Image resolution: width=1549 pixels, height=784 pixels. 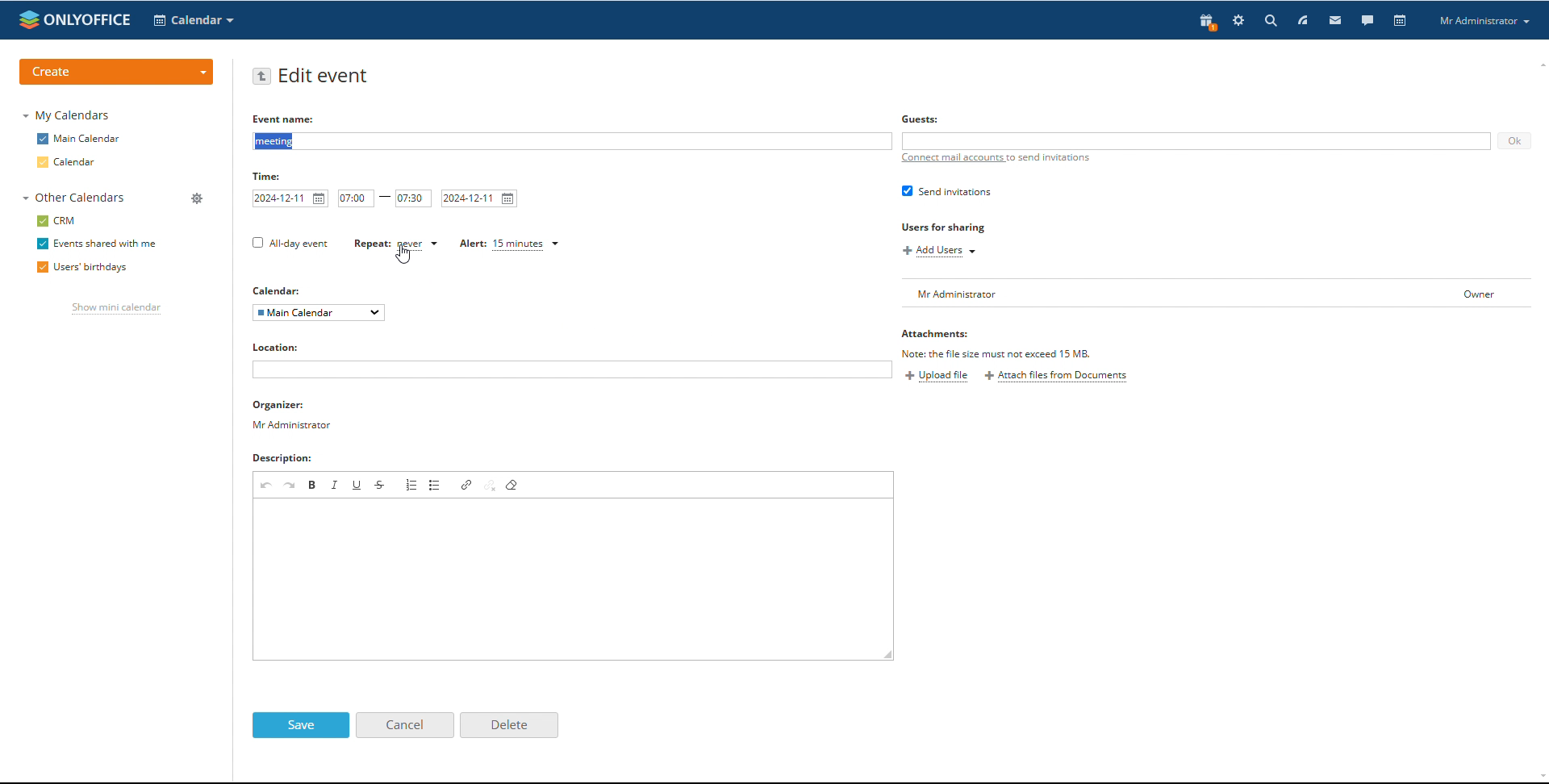 I want to click on end time, so click(x=414, y=198).